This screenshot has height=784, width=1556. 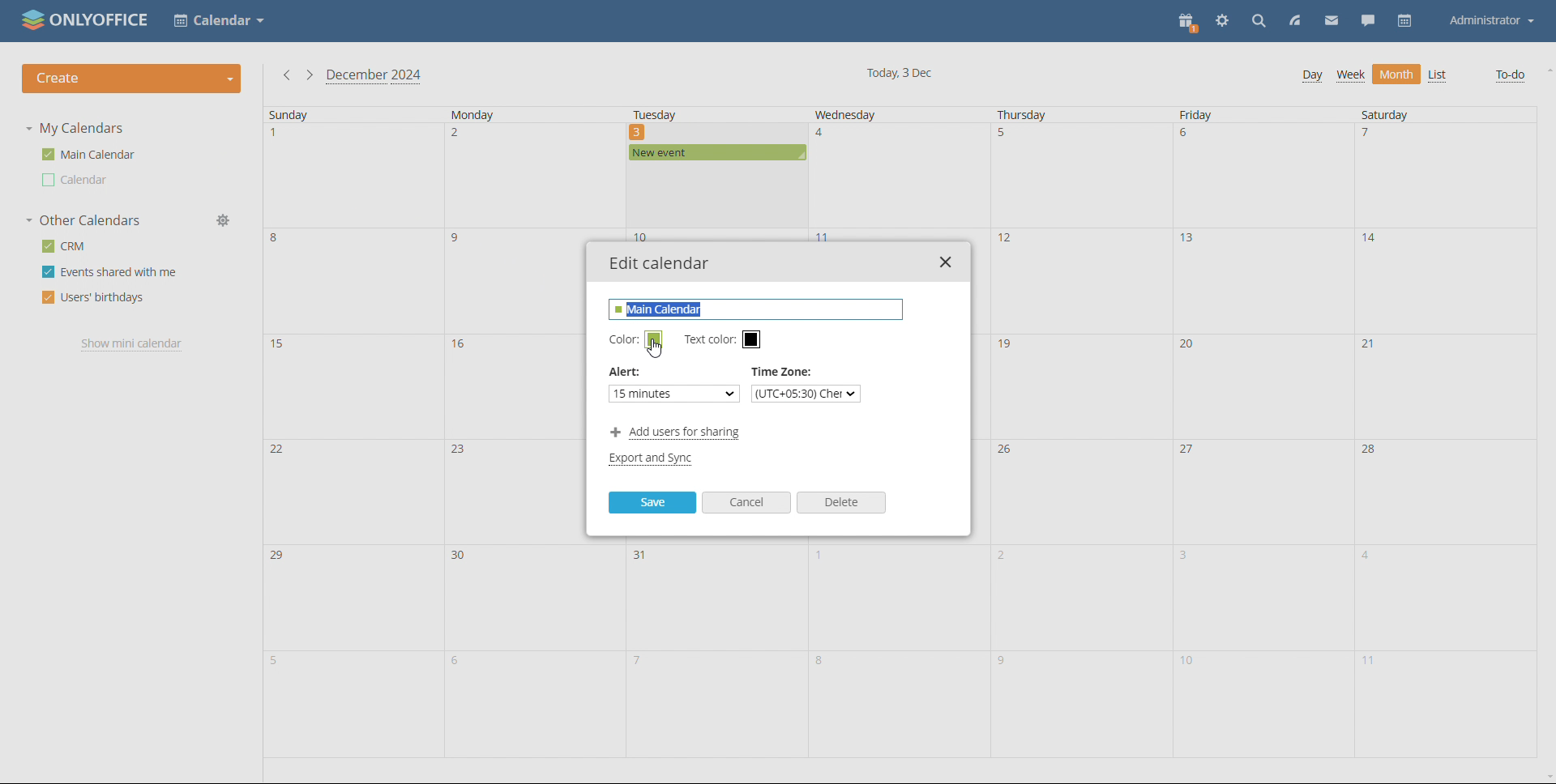 What do you see at coordinates (1260, 598) in the screenshot?
I see `date` at bounding box center [1260, 598].